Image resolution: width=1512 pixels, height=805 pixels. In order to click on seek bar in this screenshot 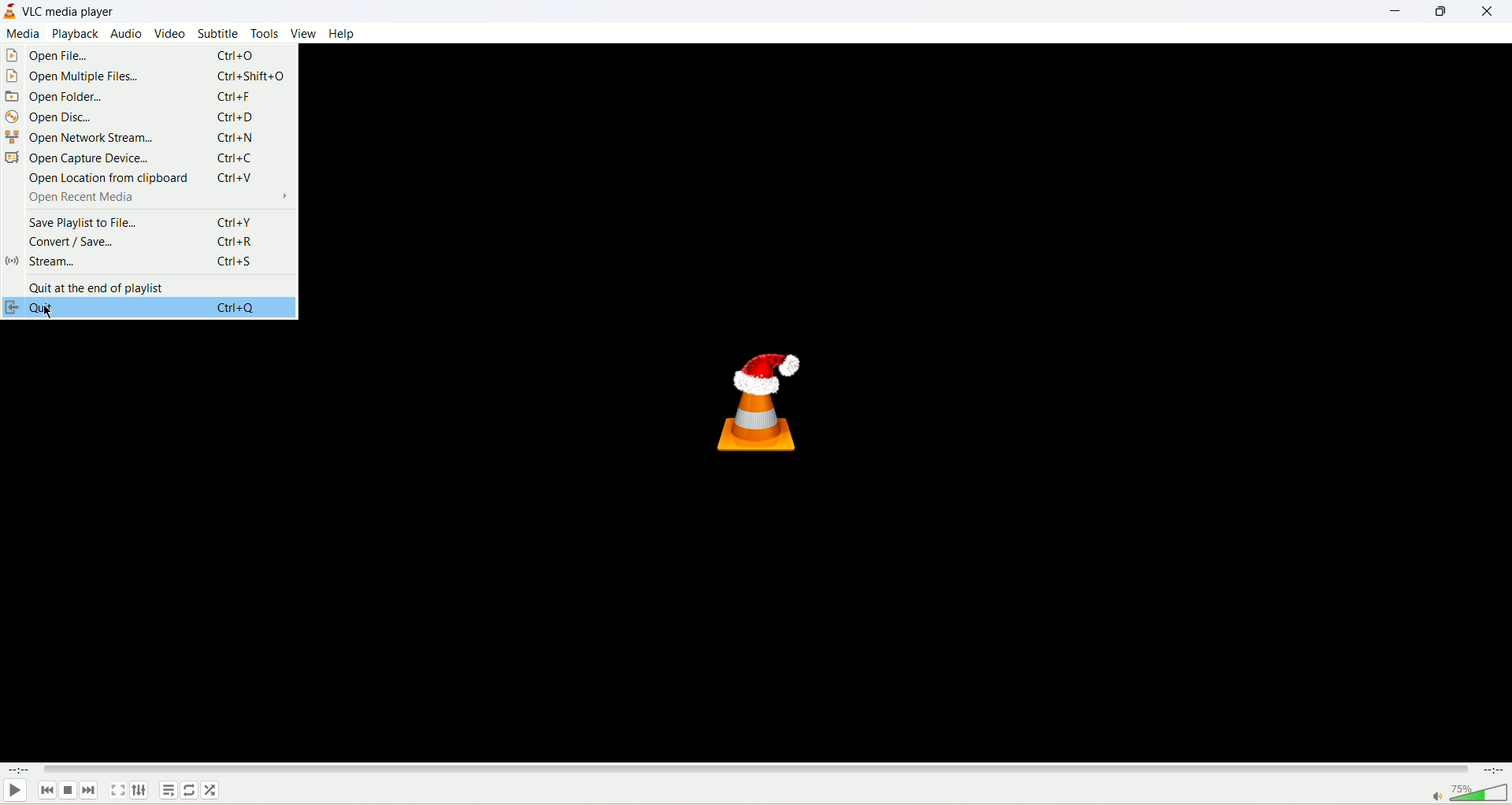, I will do `click(753, 771)`.